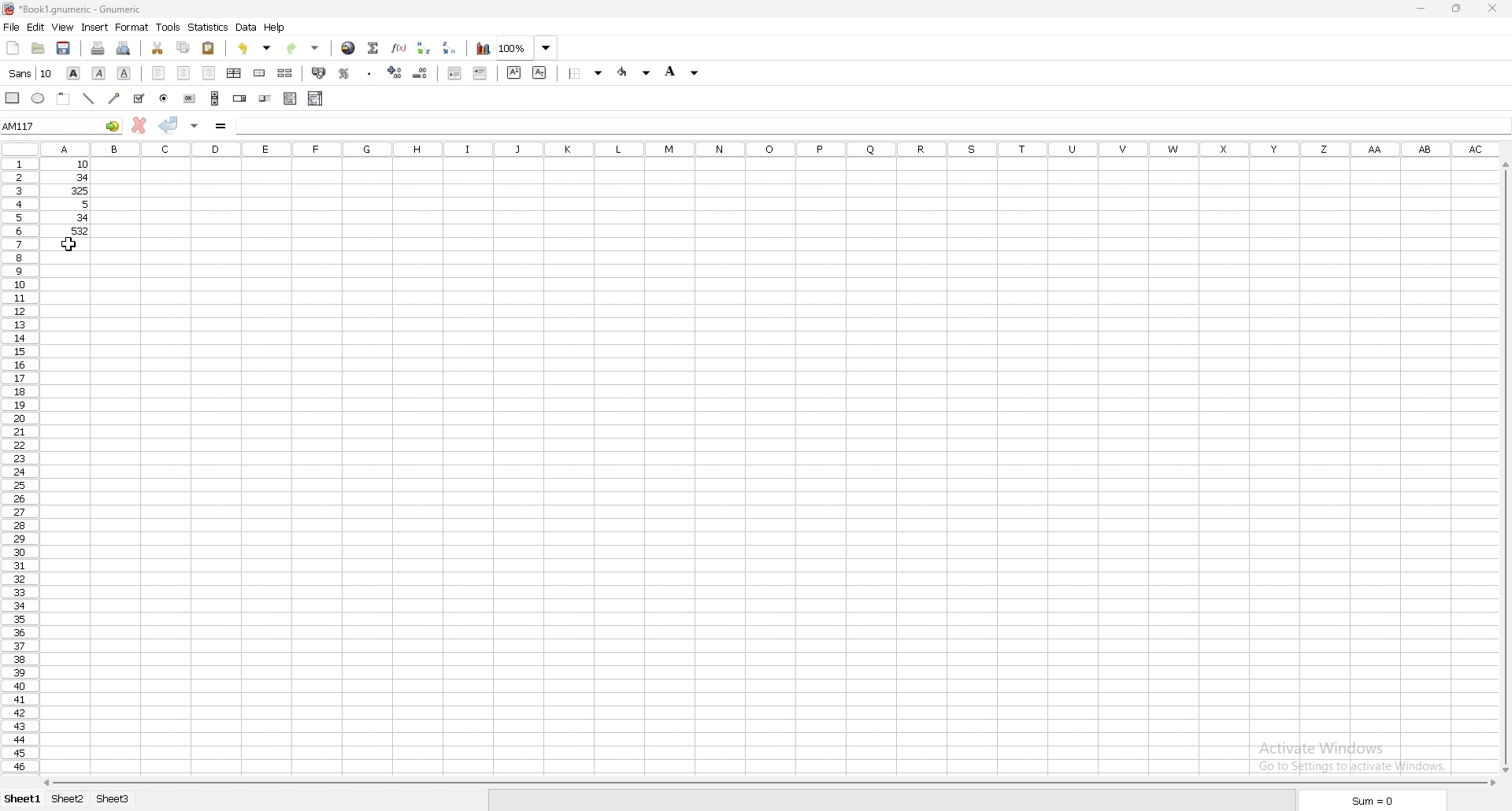 The image size is (1512, 811). Describe the element at coordinates (21, 800) in the screenshot. I see `sheet 1` at that location.